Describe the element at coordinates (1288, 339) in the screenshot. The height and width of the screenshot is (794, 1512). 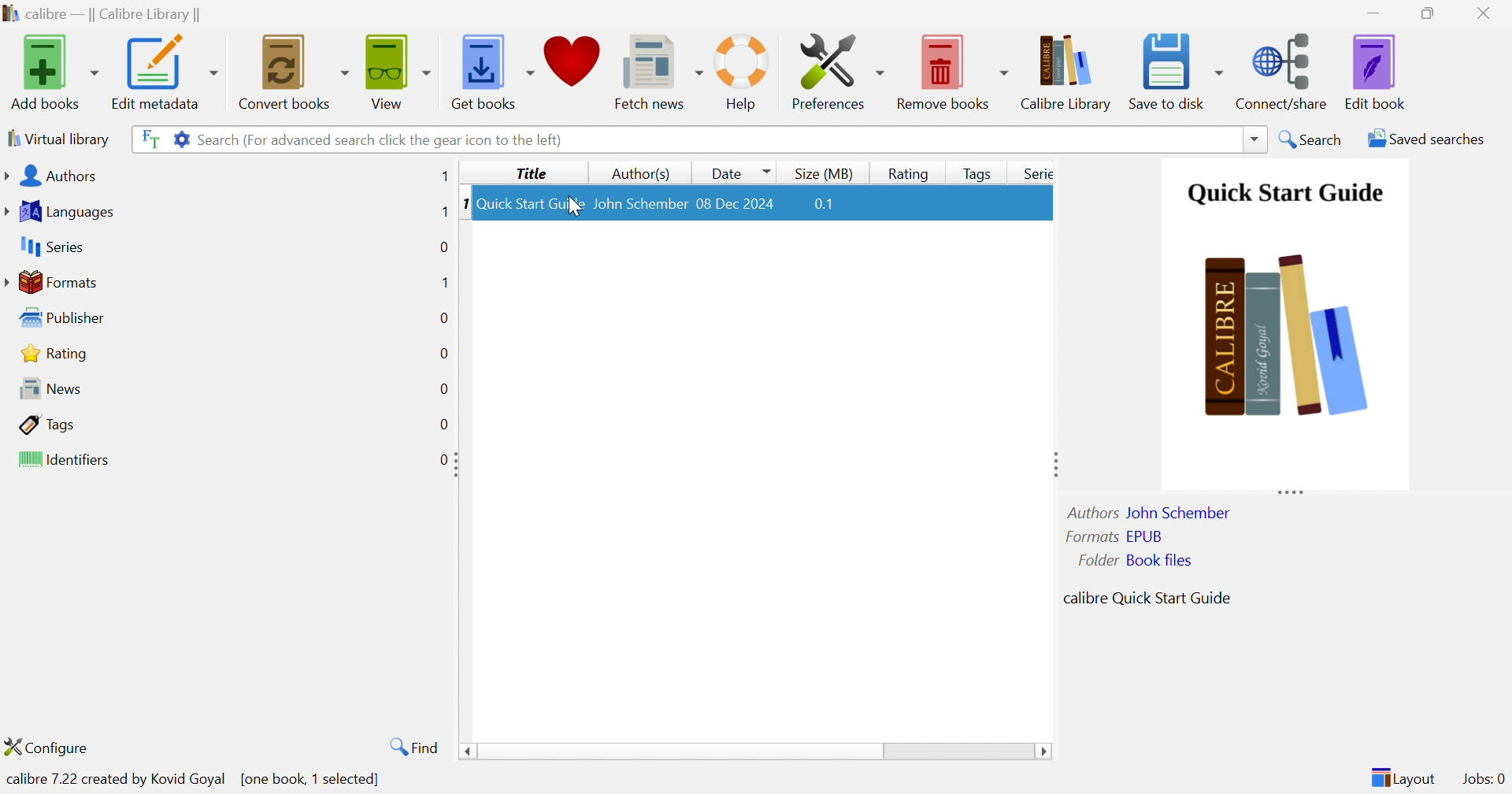
I see `Image` at that location.